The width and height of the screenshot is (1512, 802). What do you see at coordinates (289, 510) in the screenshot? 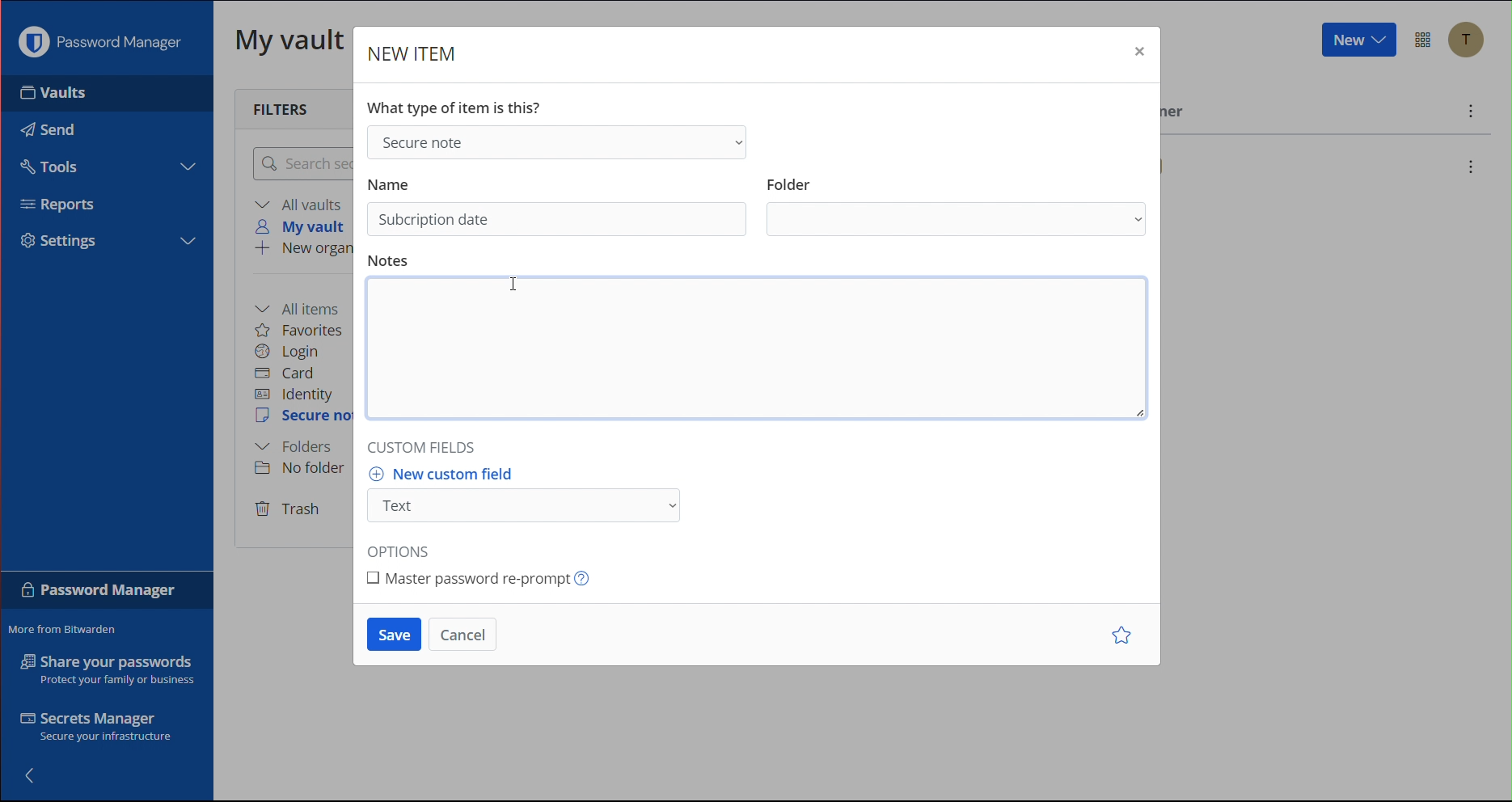
I see `Trash` at bounding box center [289, 510].